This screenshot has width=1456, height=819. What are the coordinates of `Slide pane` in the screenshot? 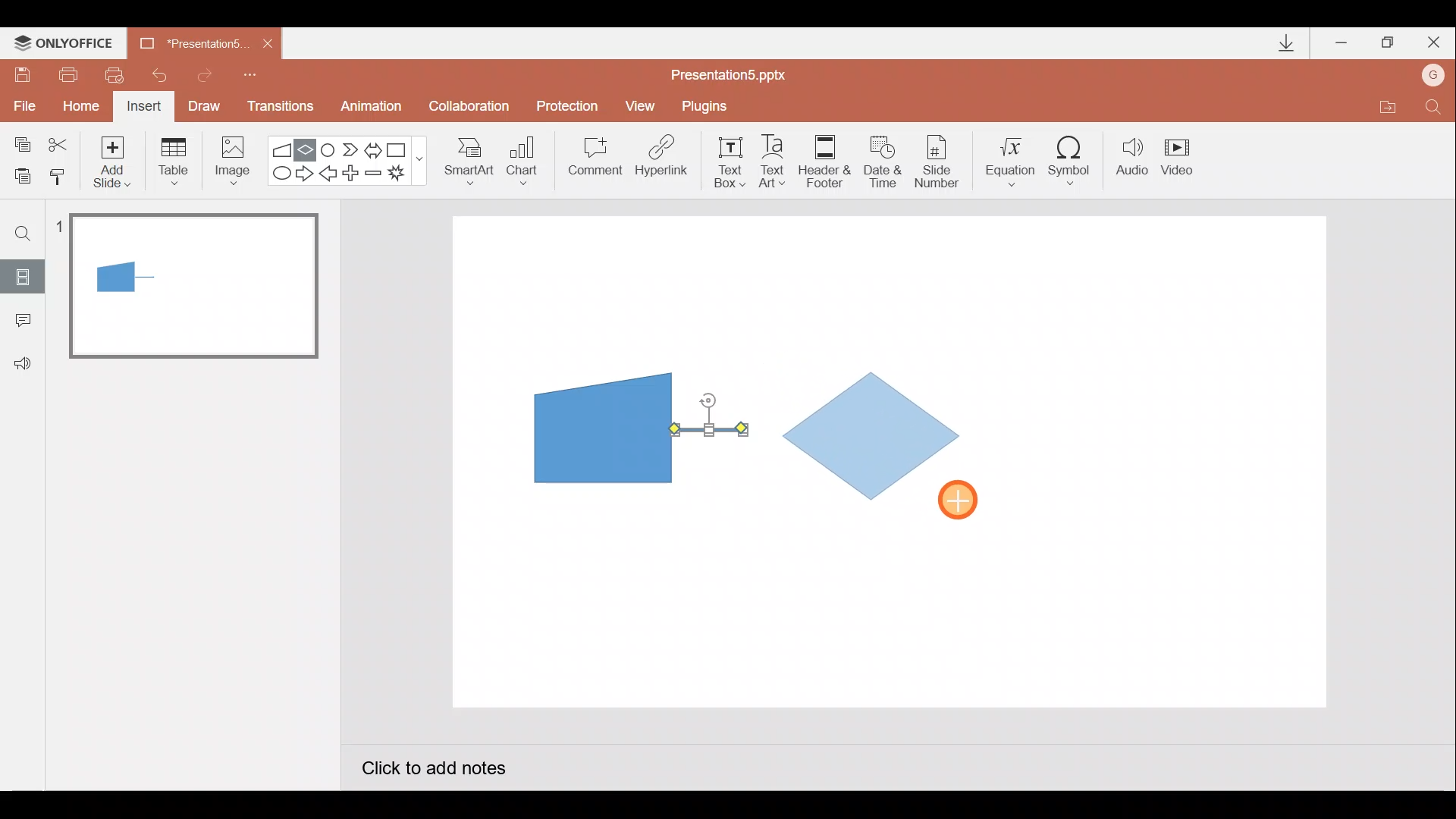 It's located at (196, 439).